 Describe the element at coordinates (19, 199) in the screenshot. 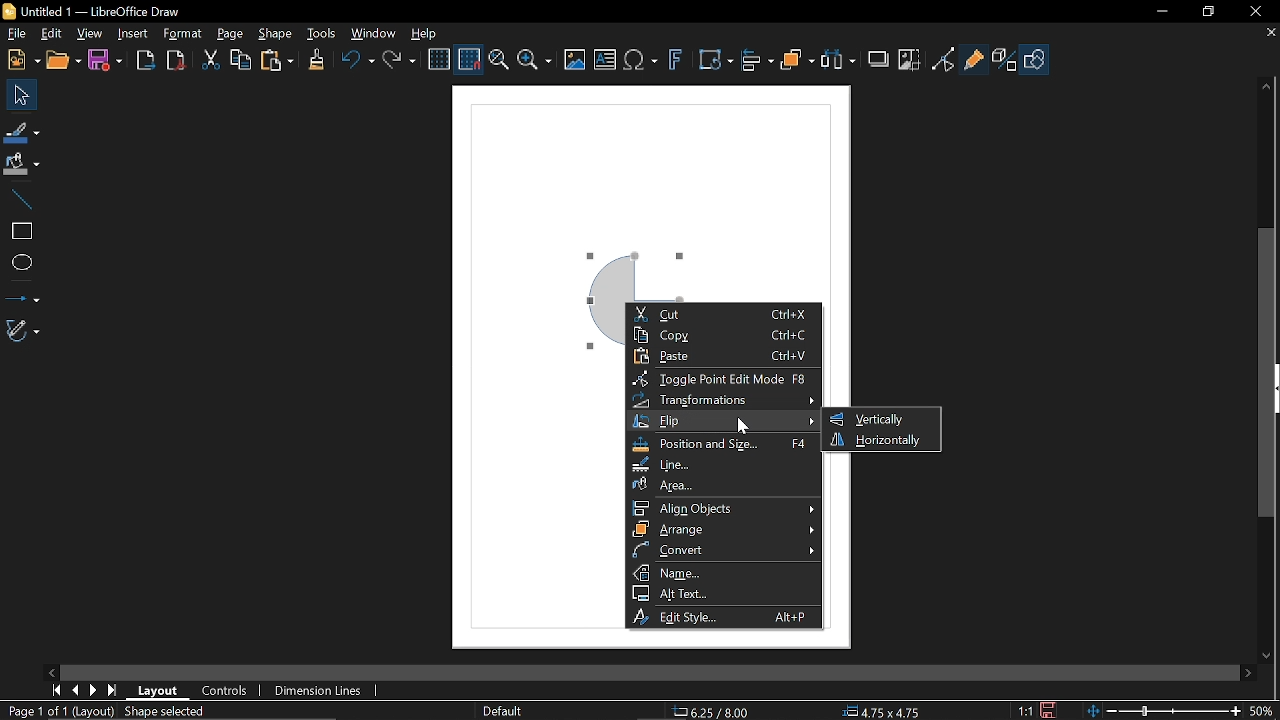

I see `Line` at that location.